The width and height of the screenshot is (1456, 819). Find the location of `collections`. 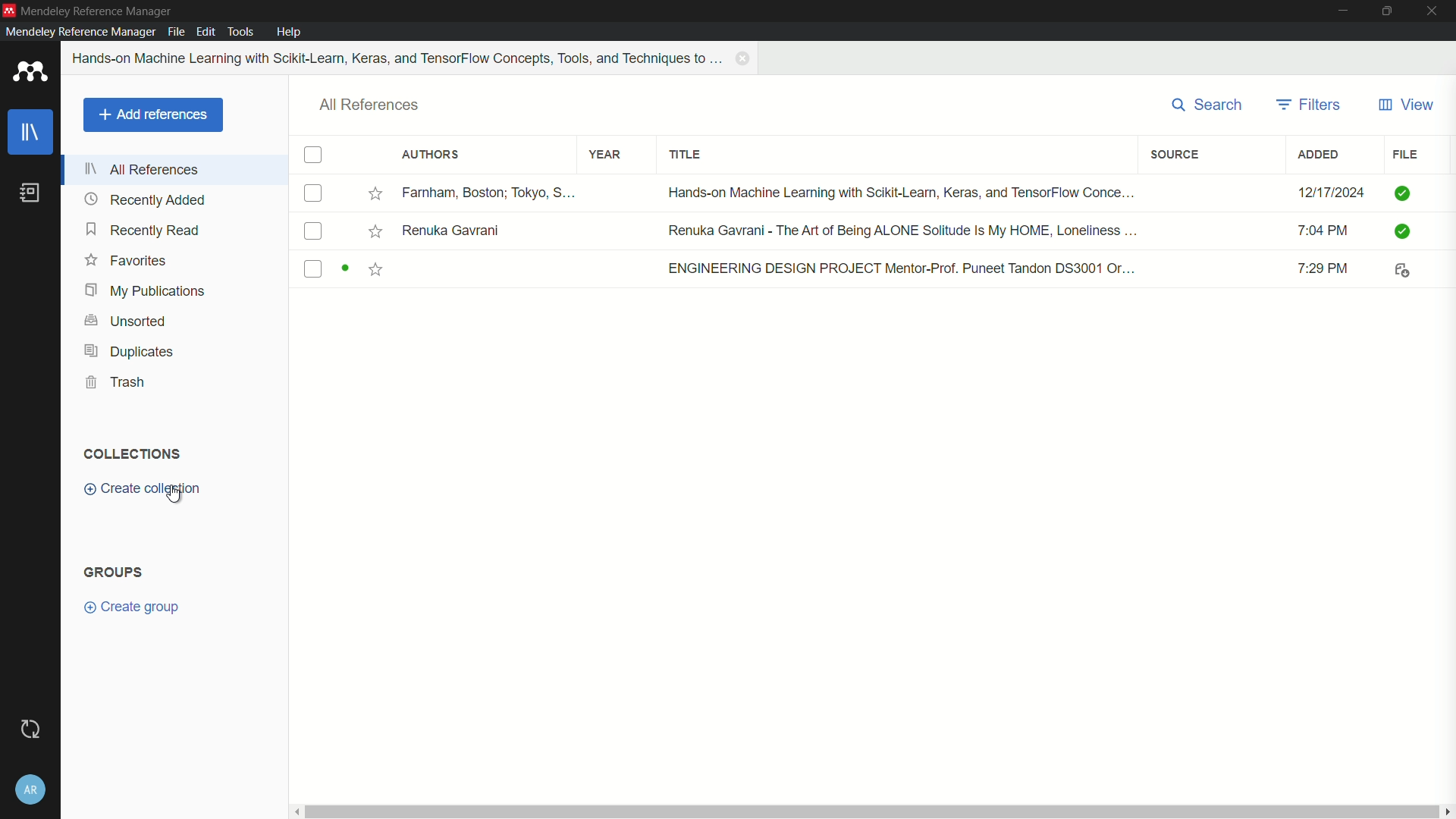

collections is located at coordinates (130, 453).